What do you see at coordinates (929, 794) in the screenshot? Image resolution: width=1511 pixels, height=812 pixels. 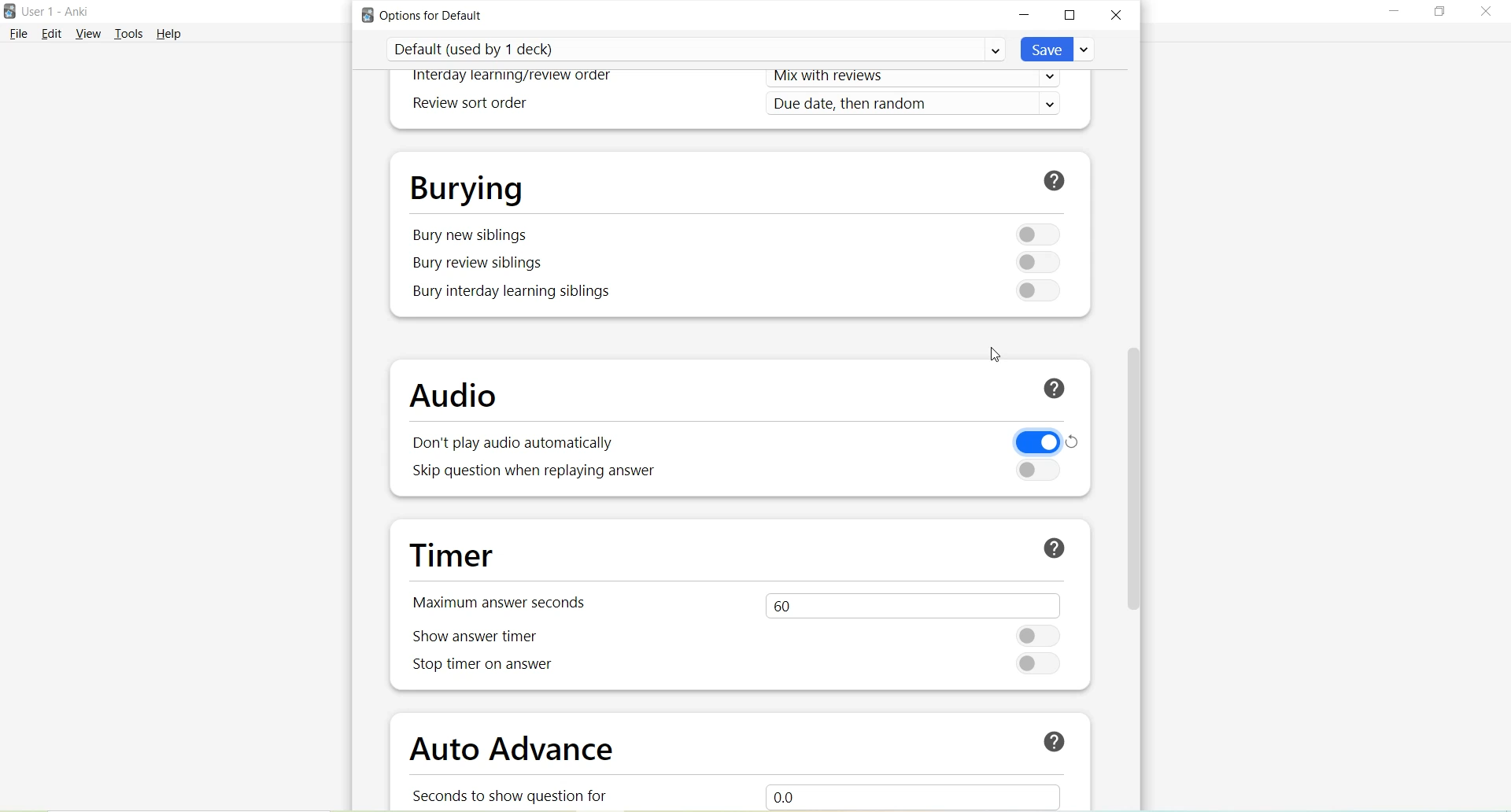 I see `0.0` at bounding box center [929, 794].